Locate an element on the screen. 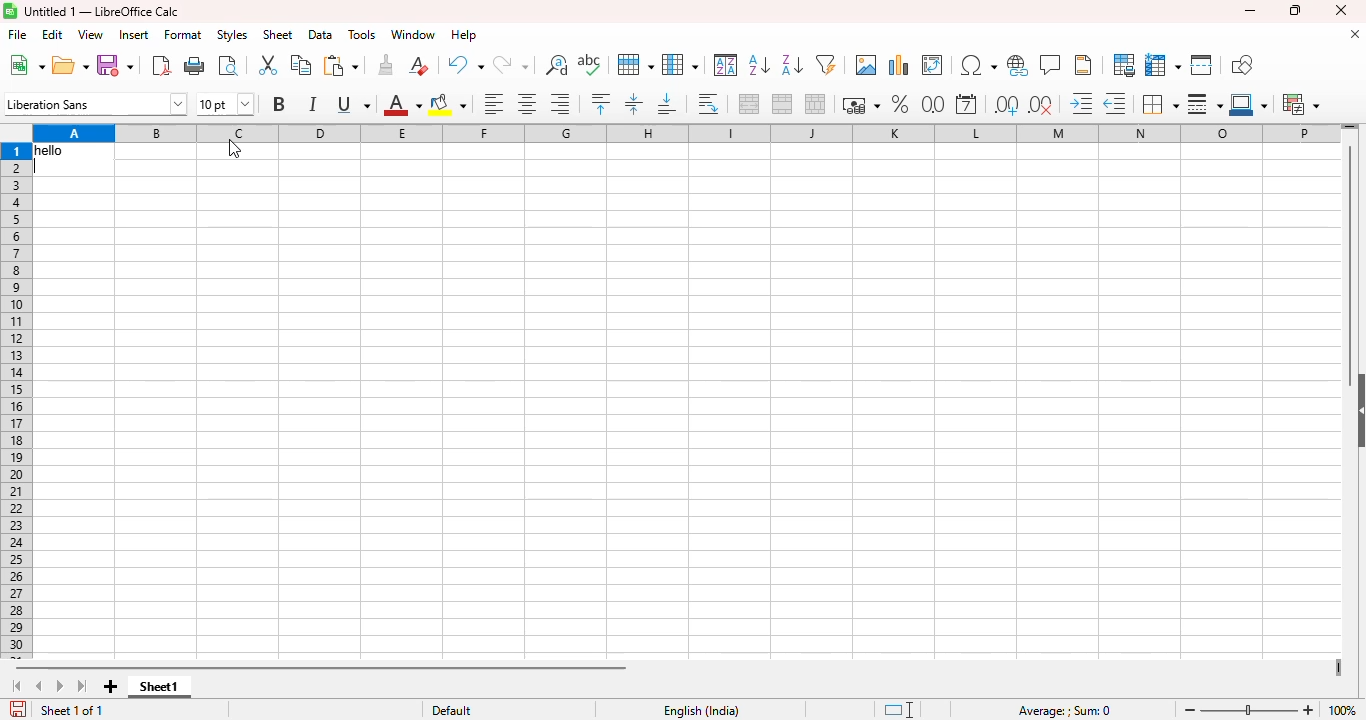 This screenshot has width=1366, height=720. text language is located at coordinates (700, 711).